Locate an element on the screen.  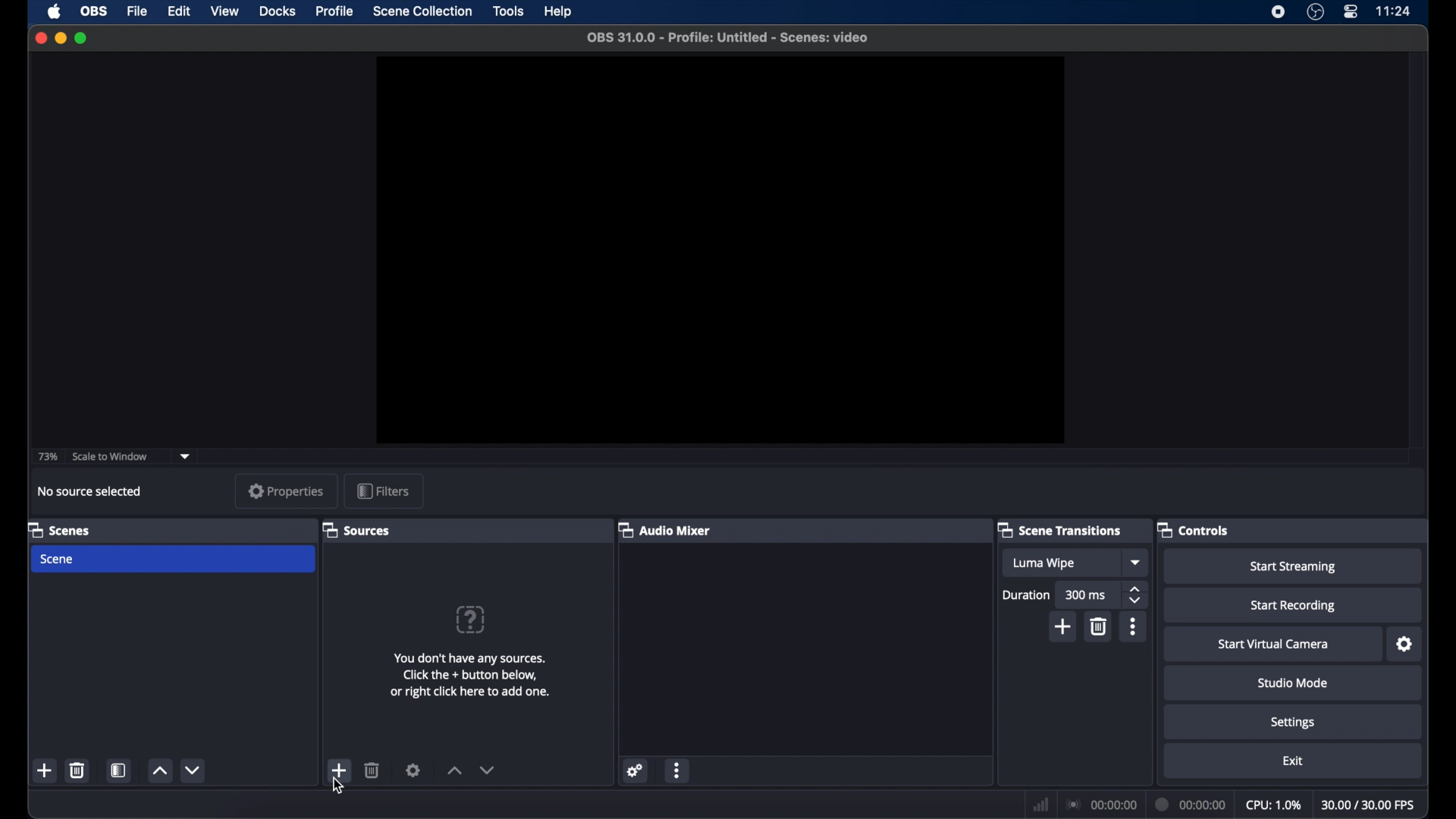
cursor is located at coordinates (338, 786).